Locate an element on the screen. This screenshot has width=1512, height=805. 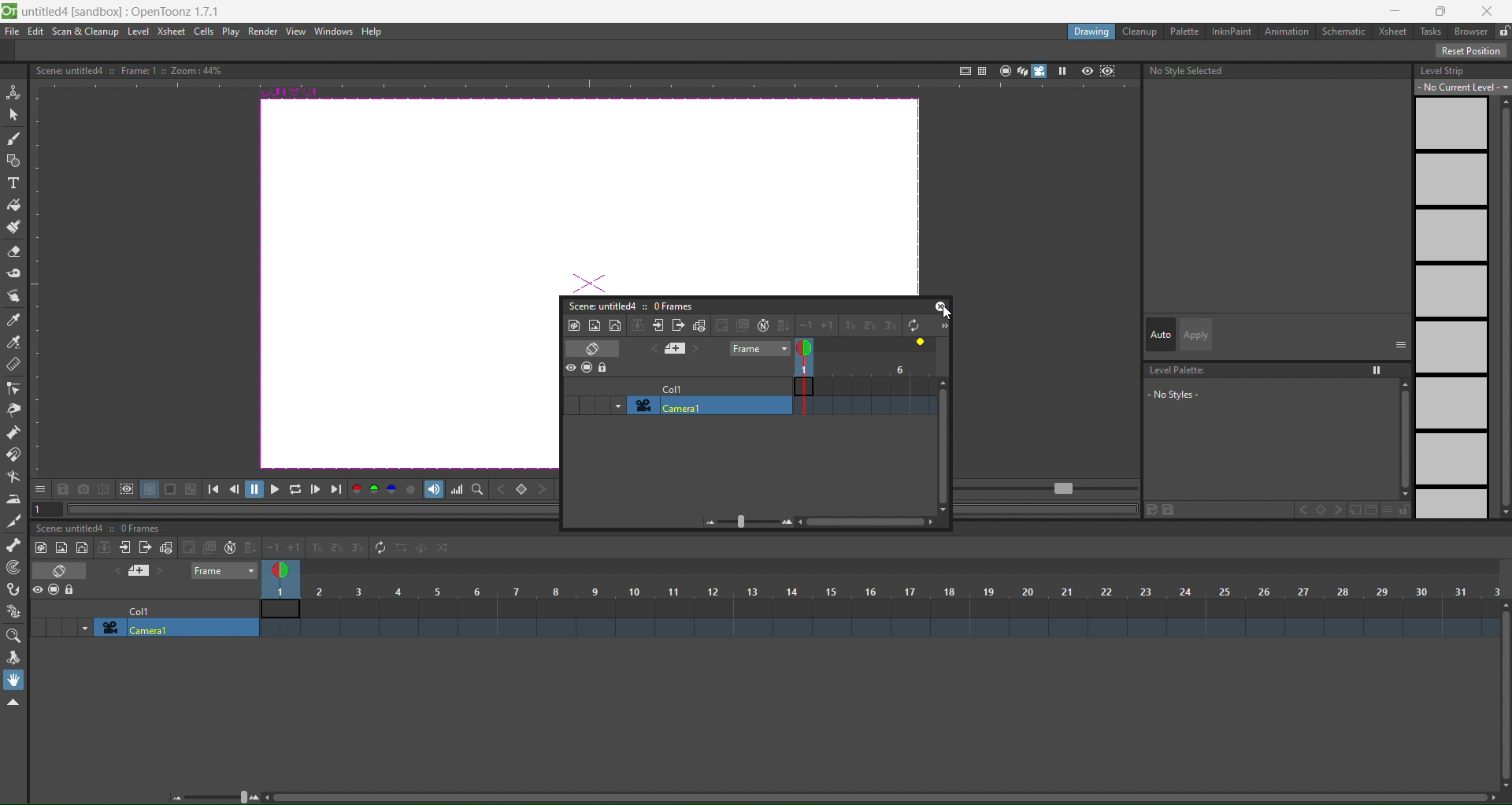
field guide is located at coordinates (981, 69).